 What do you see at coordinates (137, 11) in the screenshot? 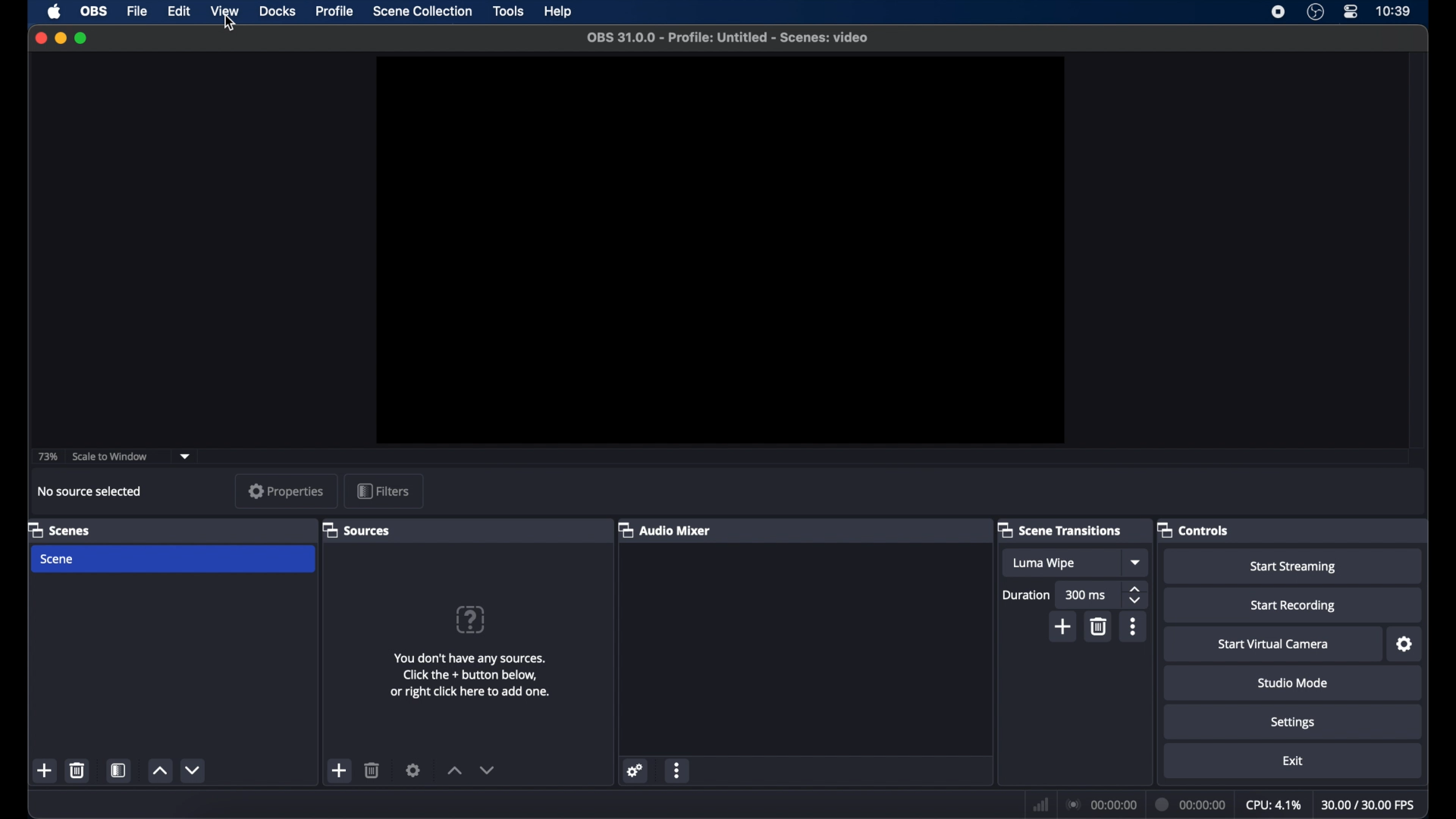
I see `file` at bounding box center [137, 11].